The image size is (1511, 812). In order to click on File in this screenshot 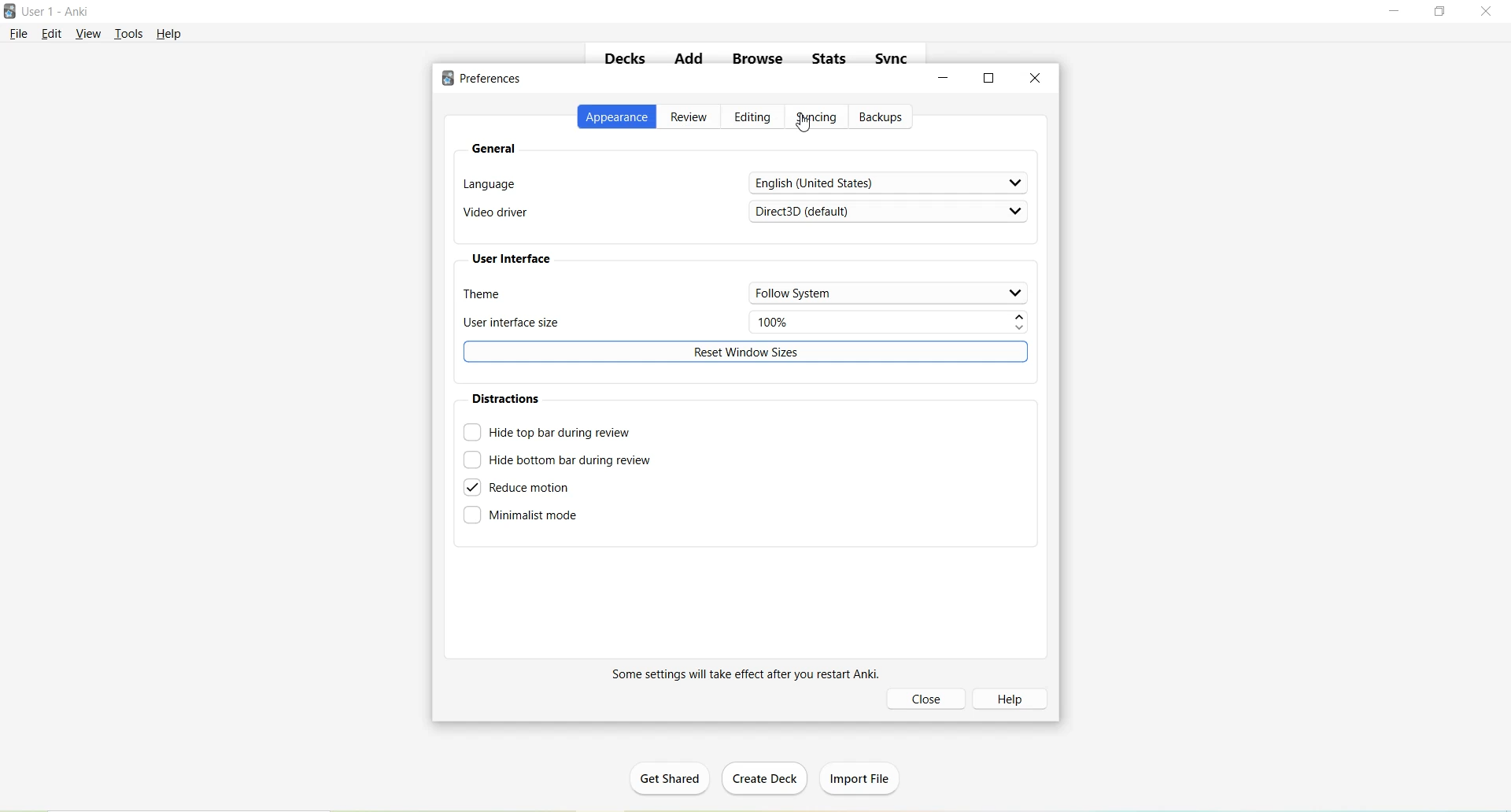, I will do `click(20, 33)`.